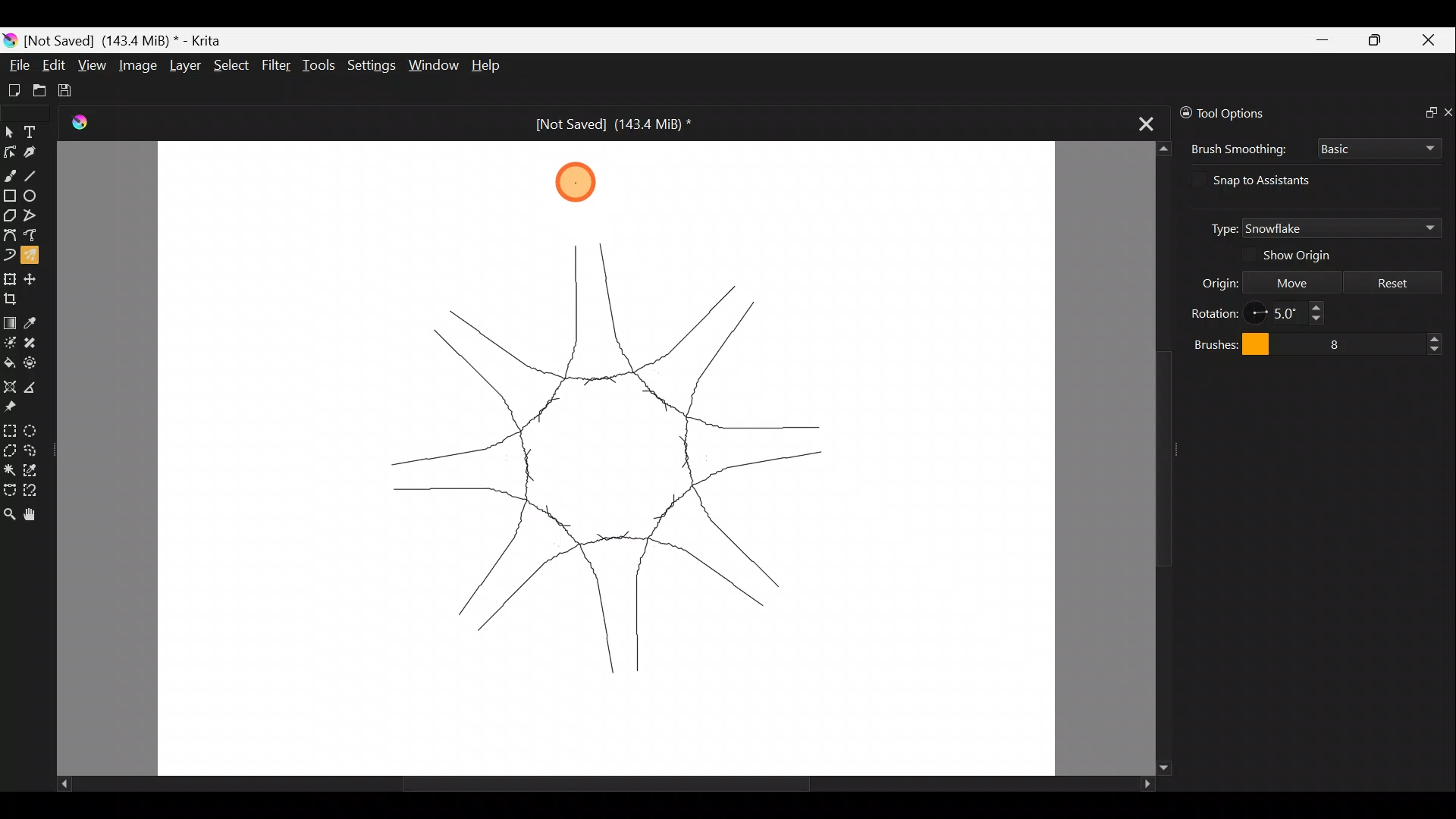  Describe the element at coordinates (496, 65) in the screenshot. I see `Help` at that location.